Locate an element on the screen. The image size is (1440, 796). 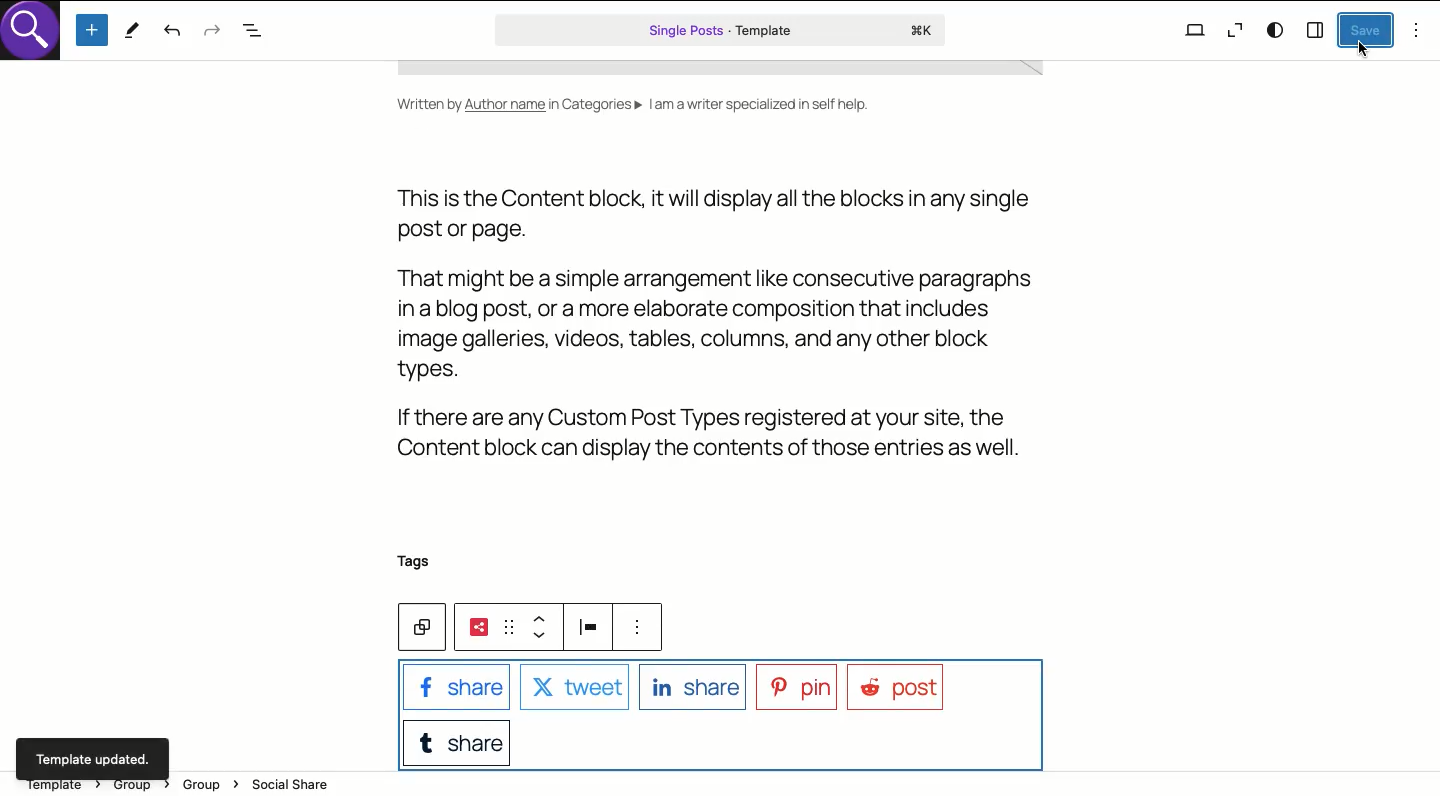
Redo is located at coordinates (213, 33).